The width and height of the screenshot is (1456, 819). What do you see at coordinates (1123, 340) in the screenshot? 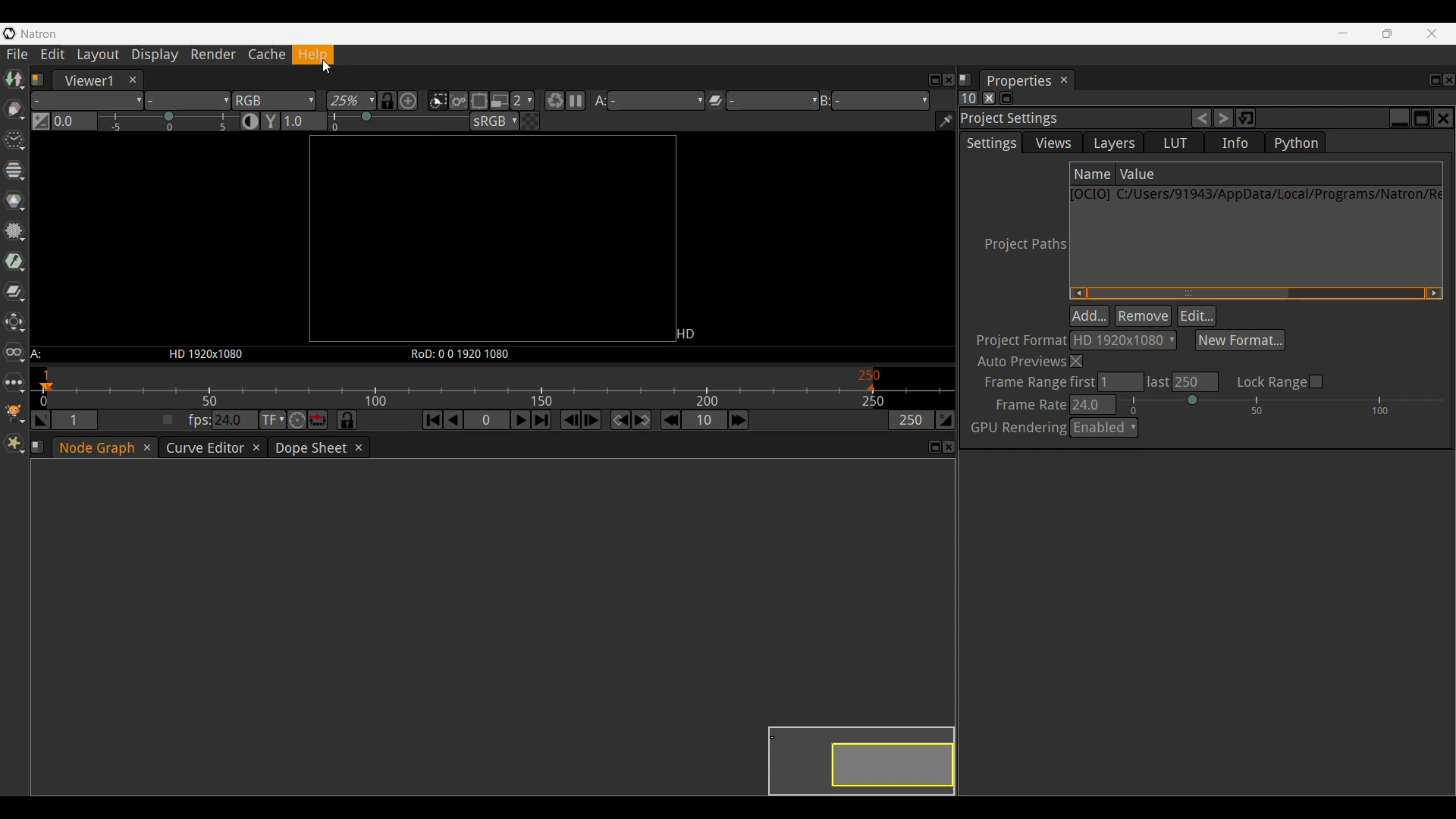
I see `HD 1920 x 1080` at bounding box center [1123, 340].